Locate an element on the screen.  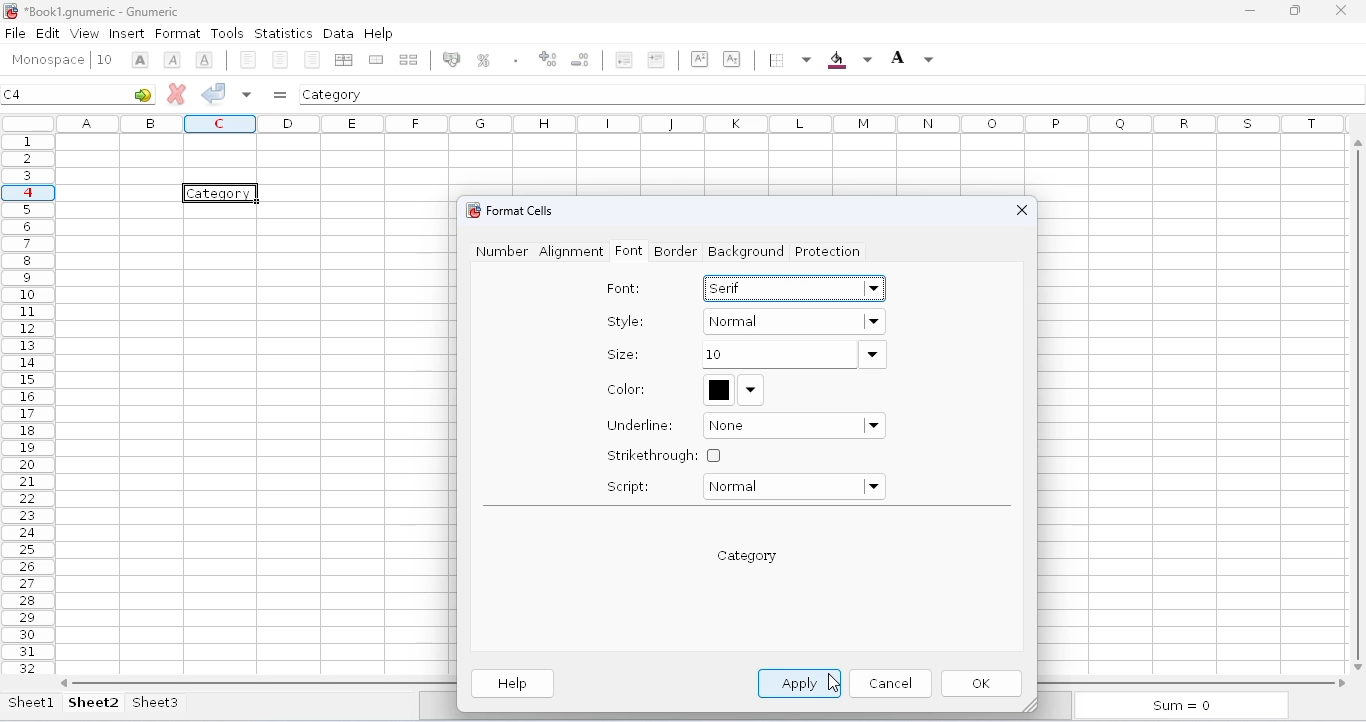
tools is located at coordinates (227, 33).